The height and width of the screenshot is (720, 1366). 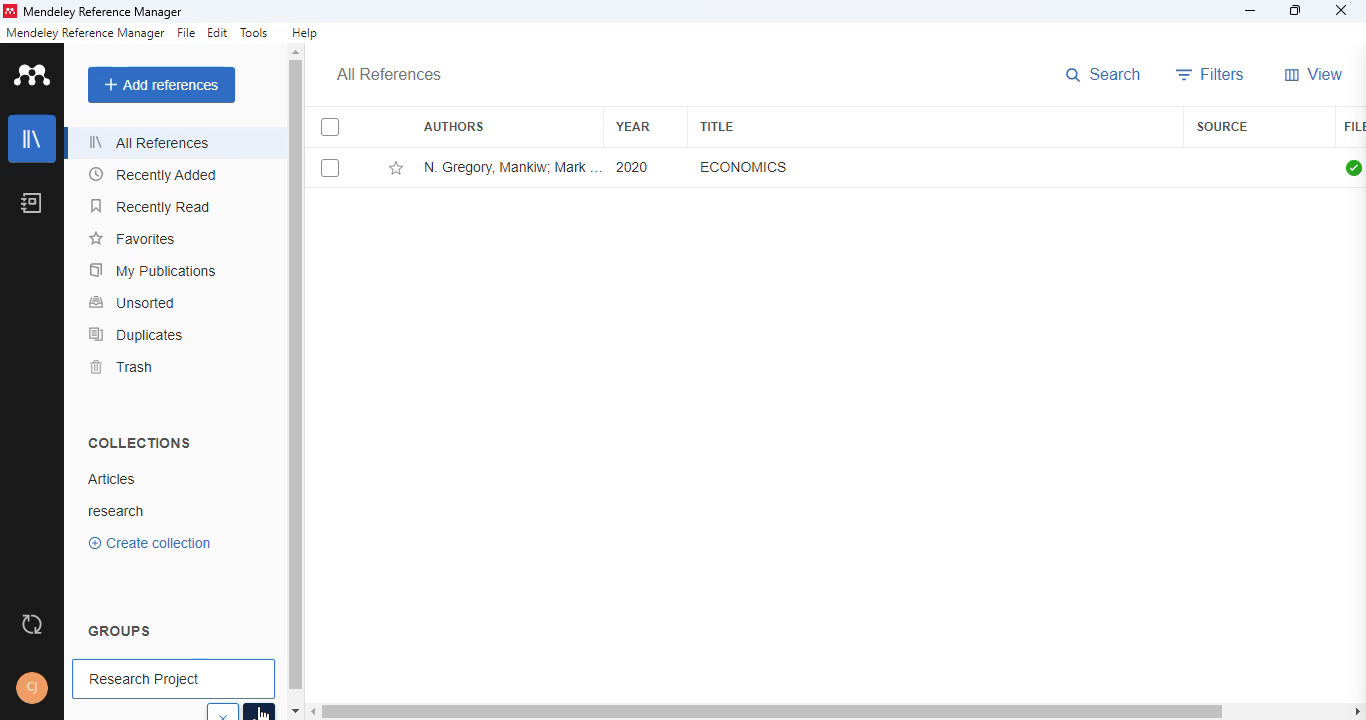 I want to click on duplicates, so click(x=138, y=335).